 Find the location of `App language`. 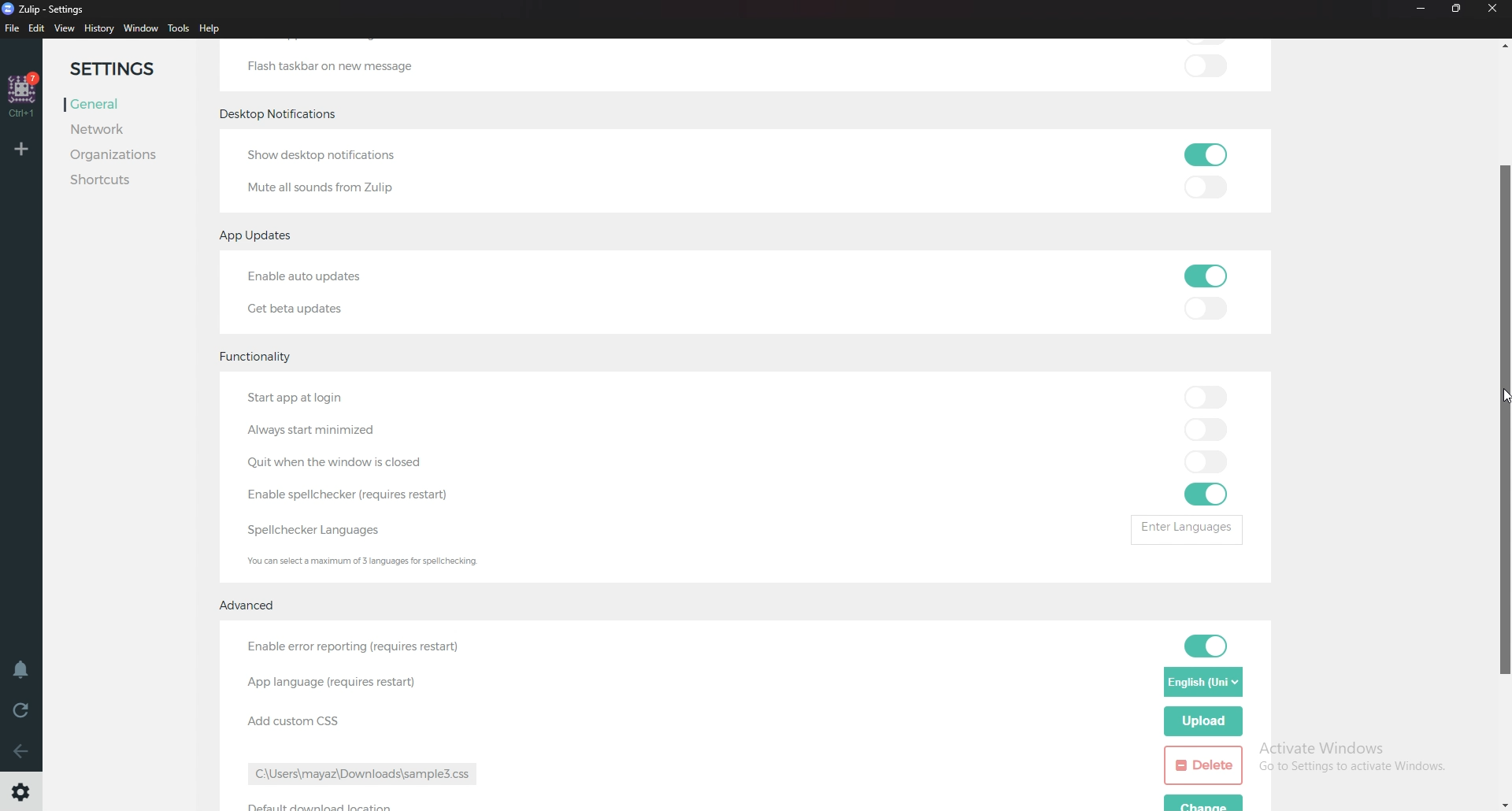

App language is located at coordinates (333, 681).